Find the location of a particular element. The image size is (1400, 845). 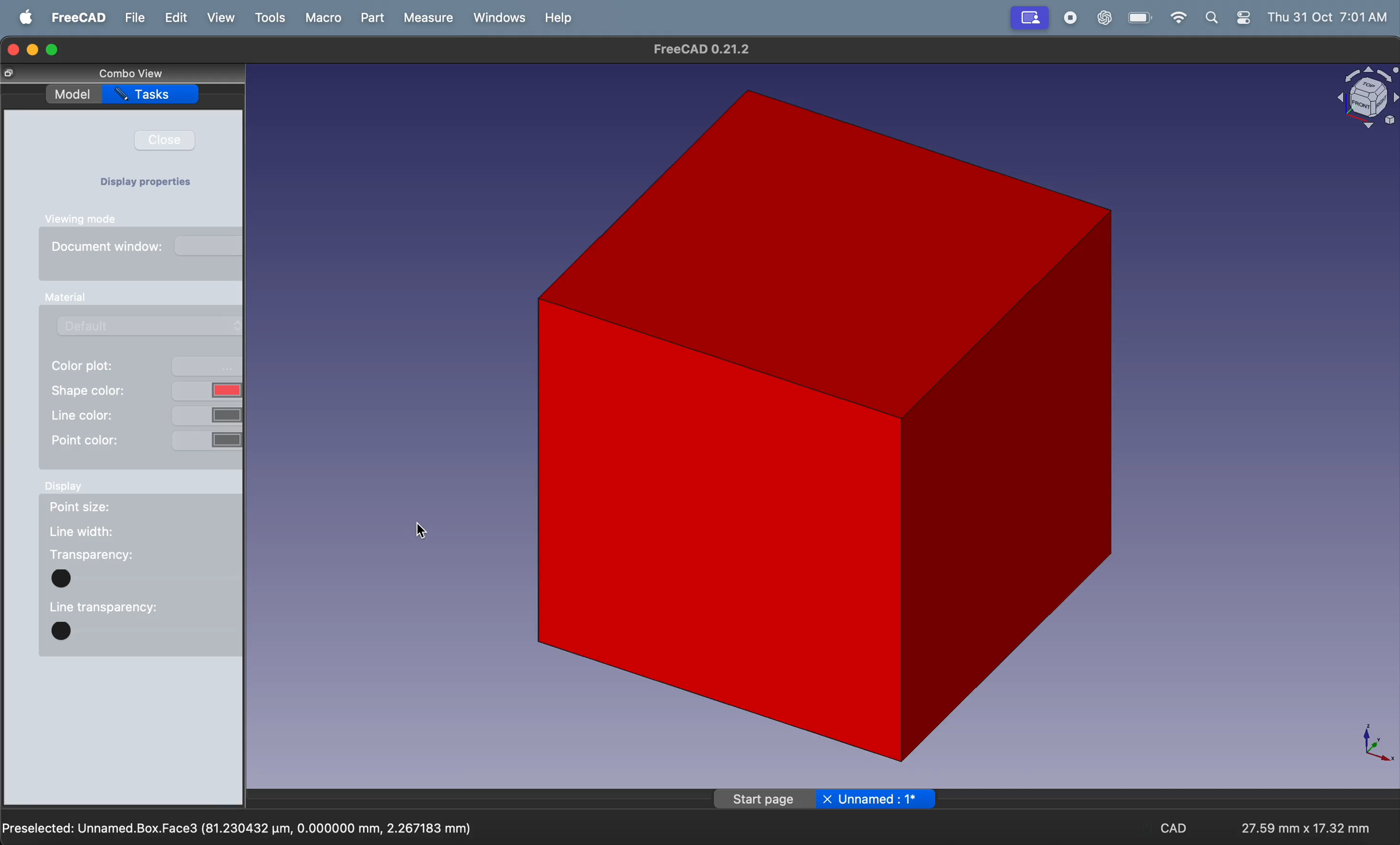

shape color is located at coordinates (147, 390).